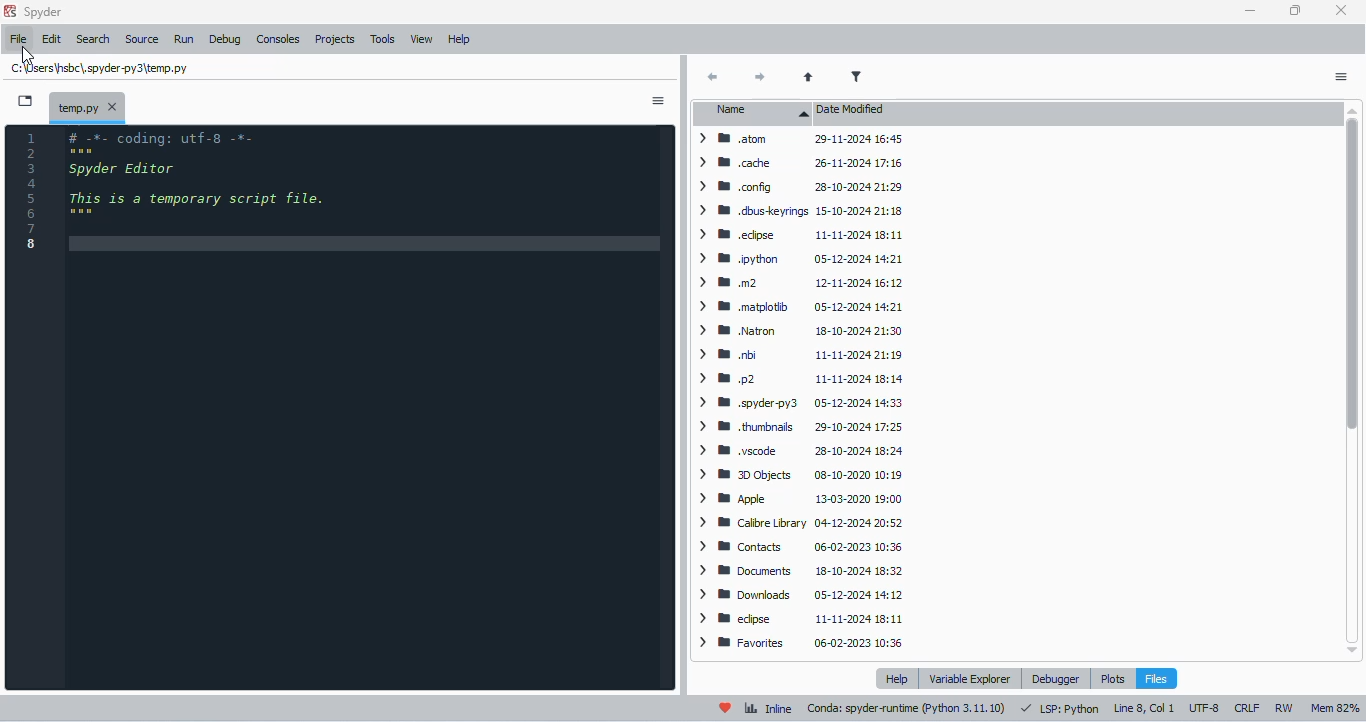  What do you see at coordinates (27, 57) in the screenshot?
I see `cursor` at bounding box center [27, 57].